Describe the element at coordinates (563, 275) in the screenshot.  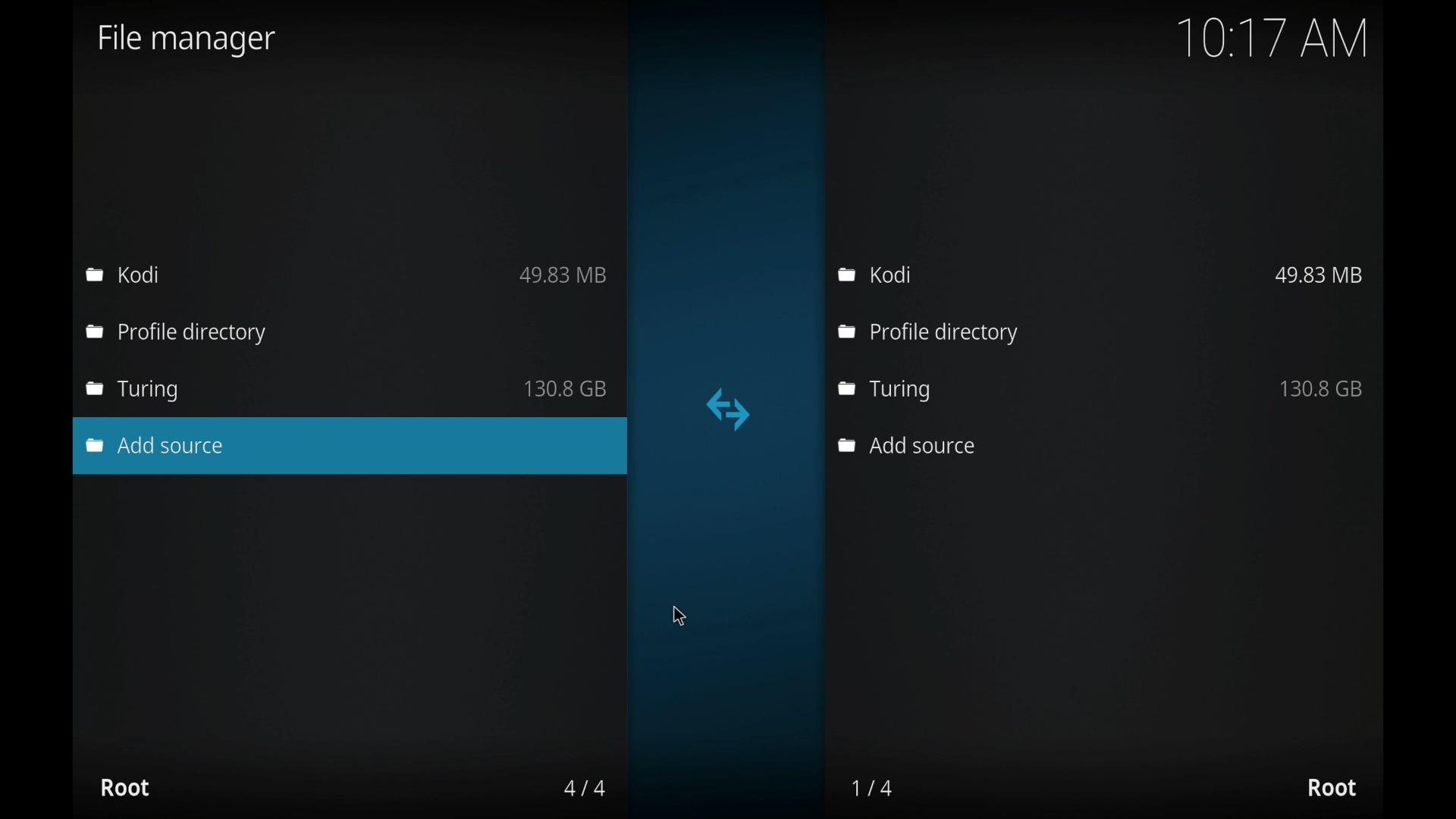
I see `49.83 MB` at that location.